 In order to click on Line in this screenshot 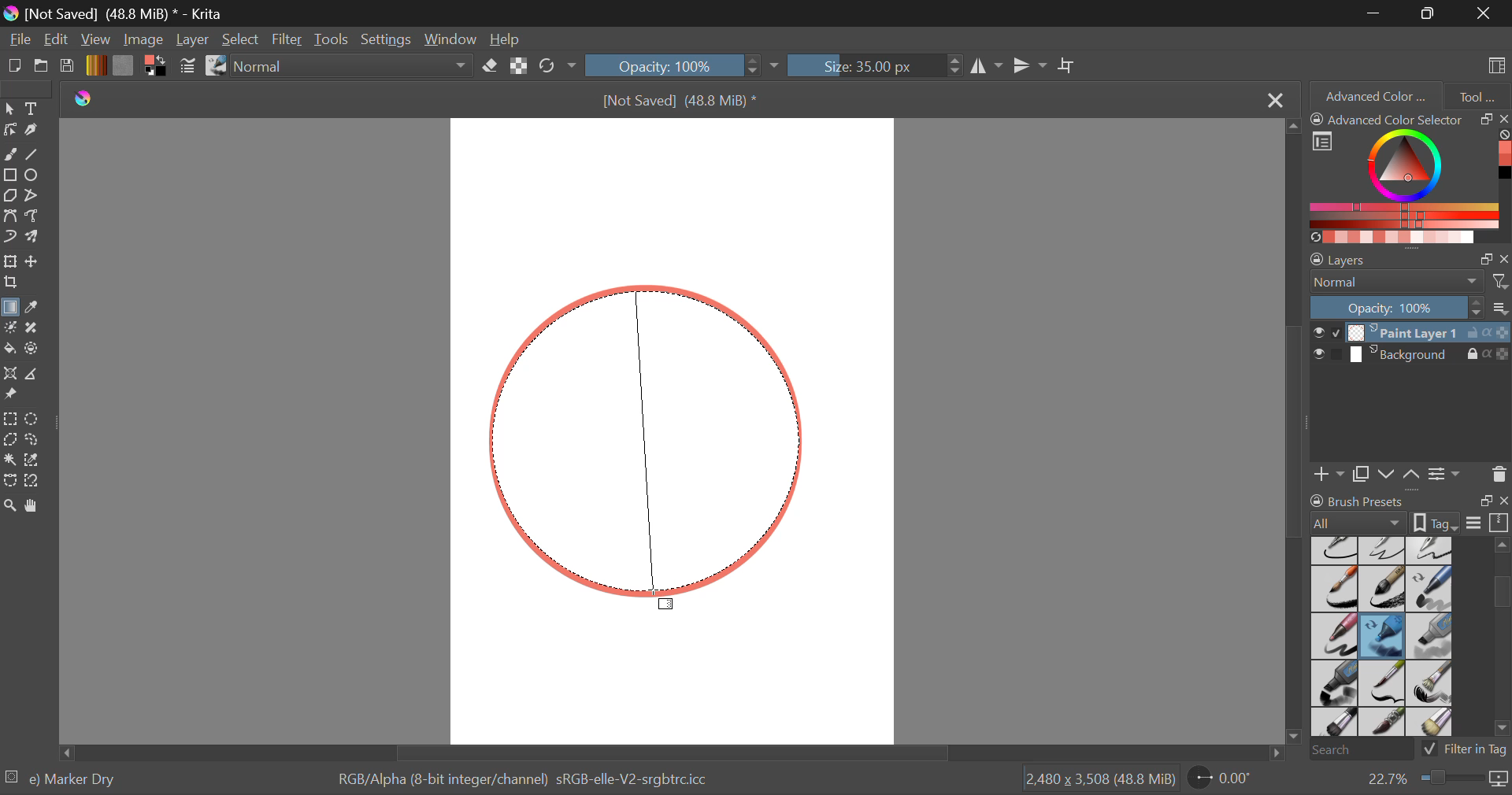, I will do `click(35, 156)`.